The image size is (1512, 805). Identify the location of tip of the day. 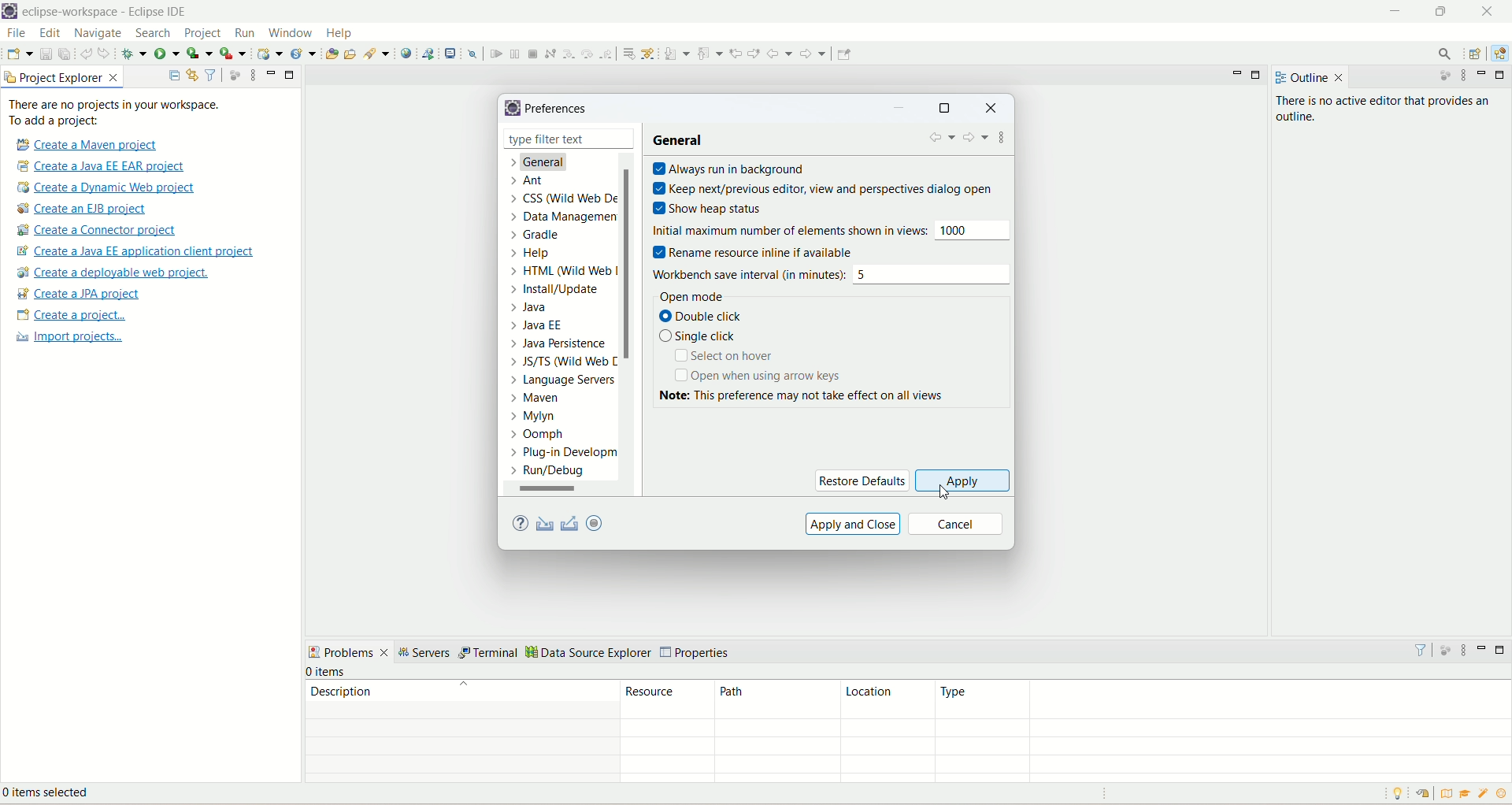
(1401, 793).